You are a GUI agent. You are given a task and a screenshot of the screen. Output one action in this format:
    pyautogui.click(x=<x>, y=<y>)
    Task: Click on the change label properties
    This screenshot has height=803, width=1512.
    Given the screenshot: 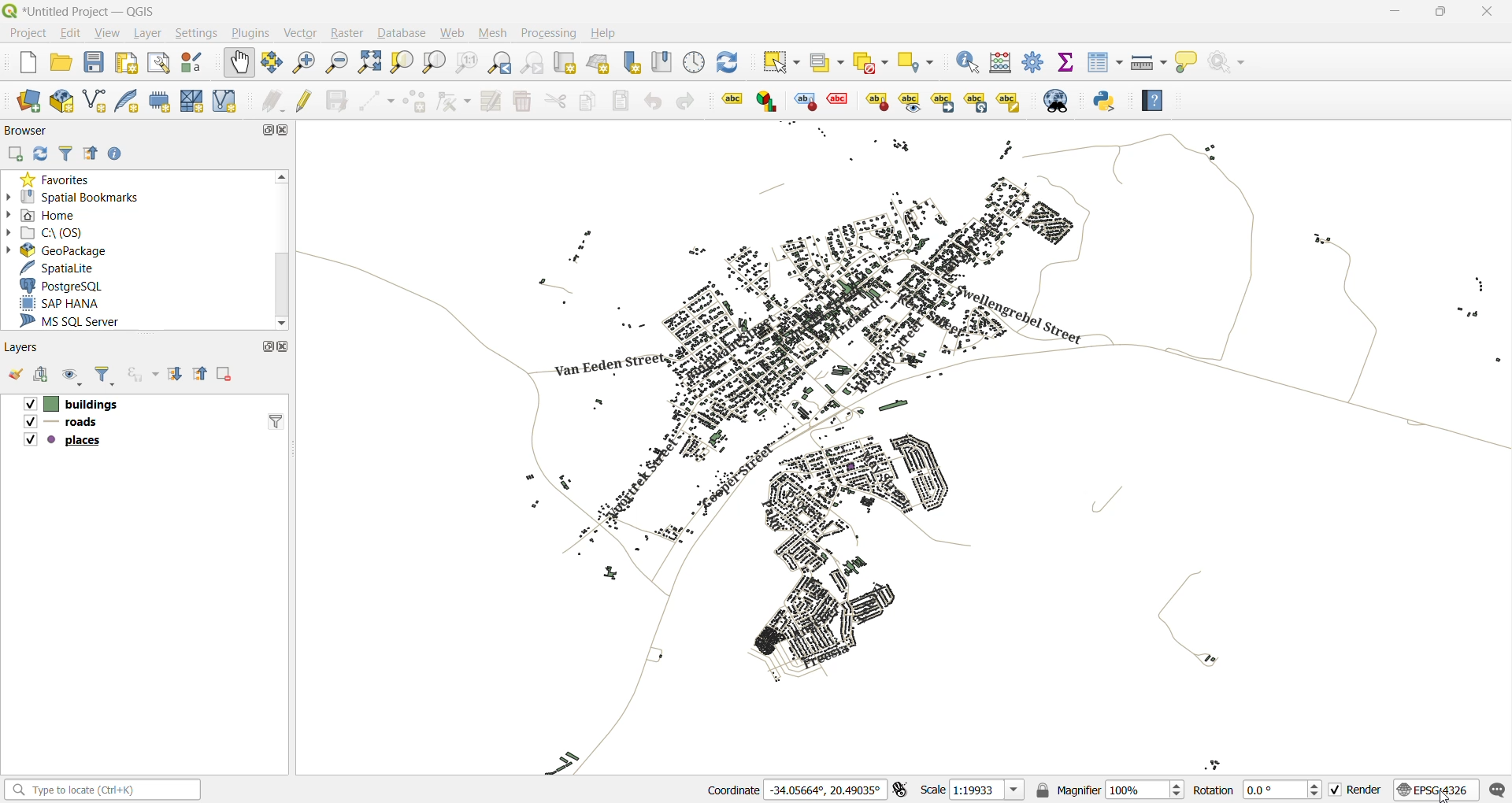 What is the action you would take?
    pyautogui.click(x=1010, y=102)
    